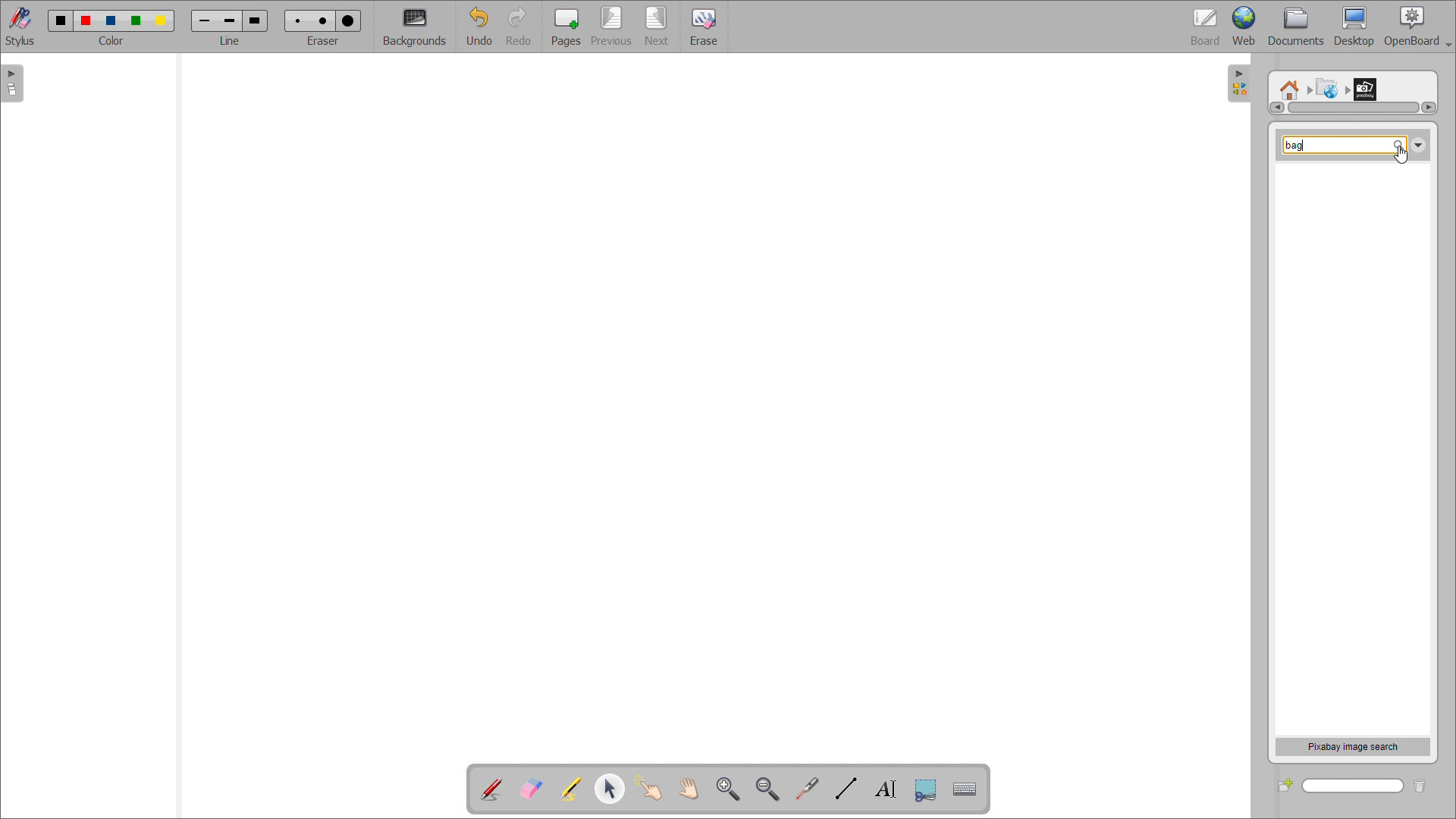 This screenshot has height=819, width=1456. What do you see at coordinates (1325, 86) in the screenshot?
I see `Web search` at bounding box center [1325, 86].